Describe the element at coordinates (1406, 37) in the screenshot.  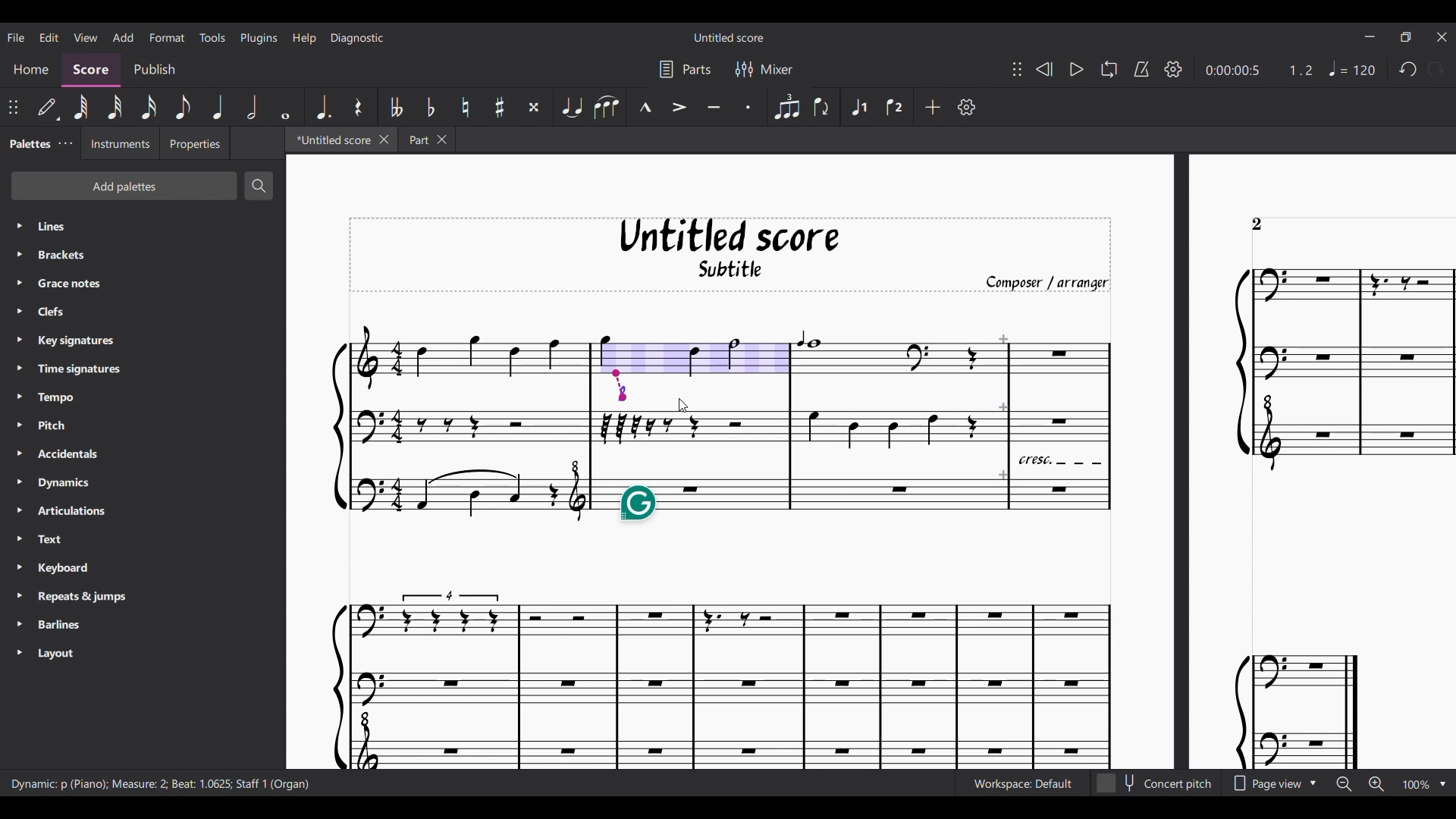
I see `Show interface in a smaller tab` at that location.